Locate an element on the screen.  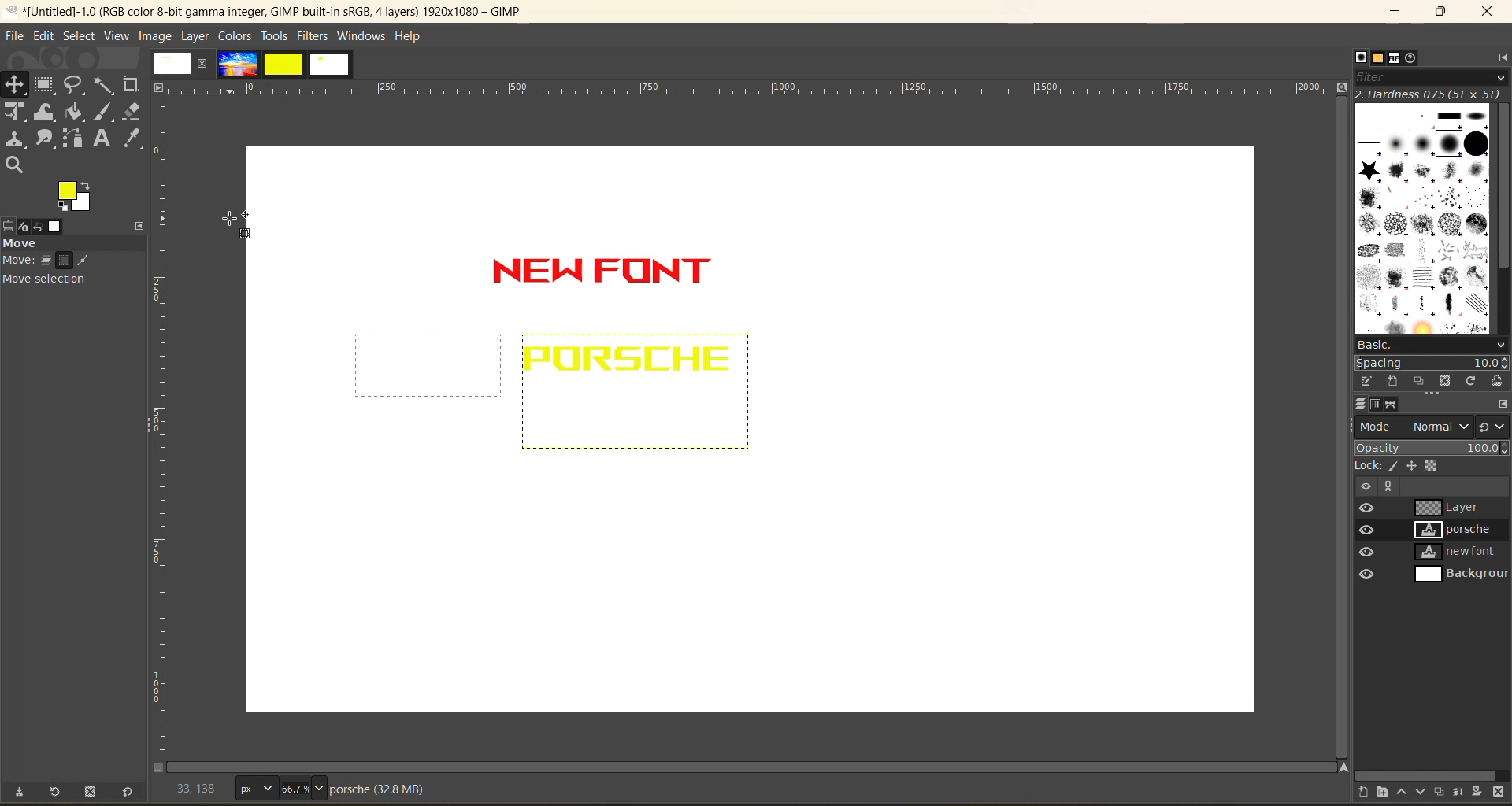
switch to another group is located at coordinates (1492, 428).